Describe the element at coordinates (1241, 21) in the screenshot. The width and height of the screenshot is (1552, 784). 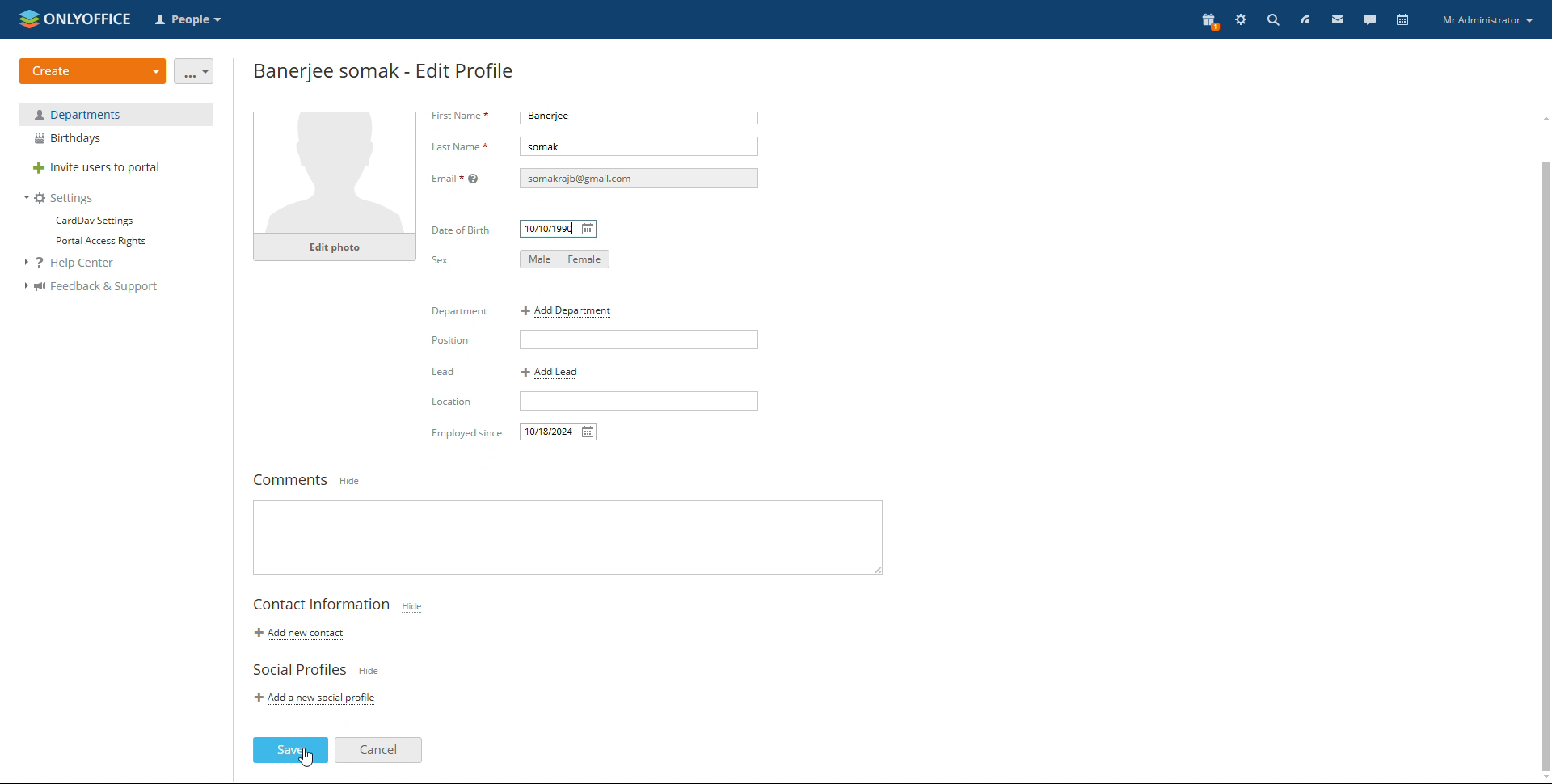
I see `settings` at that location.